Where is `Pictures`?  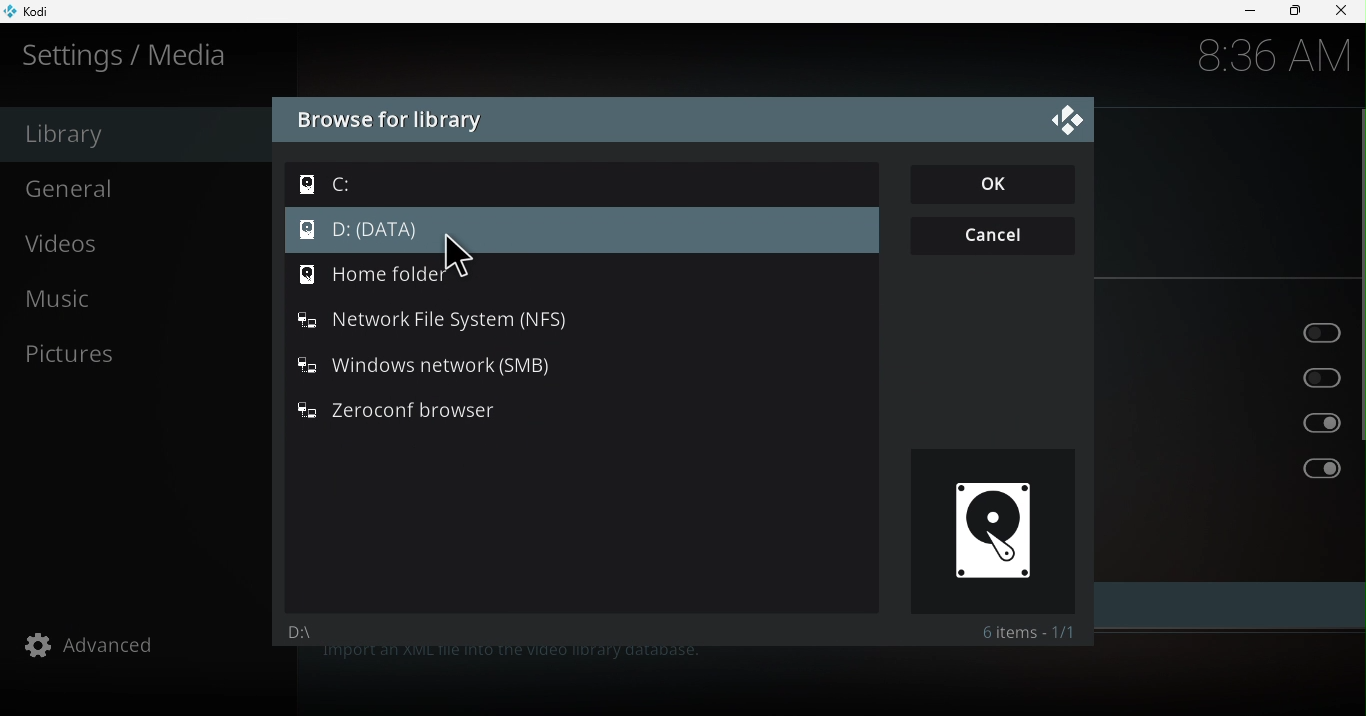 Pictures is located at coordinates (146, 353).